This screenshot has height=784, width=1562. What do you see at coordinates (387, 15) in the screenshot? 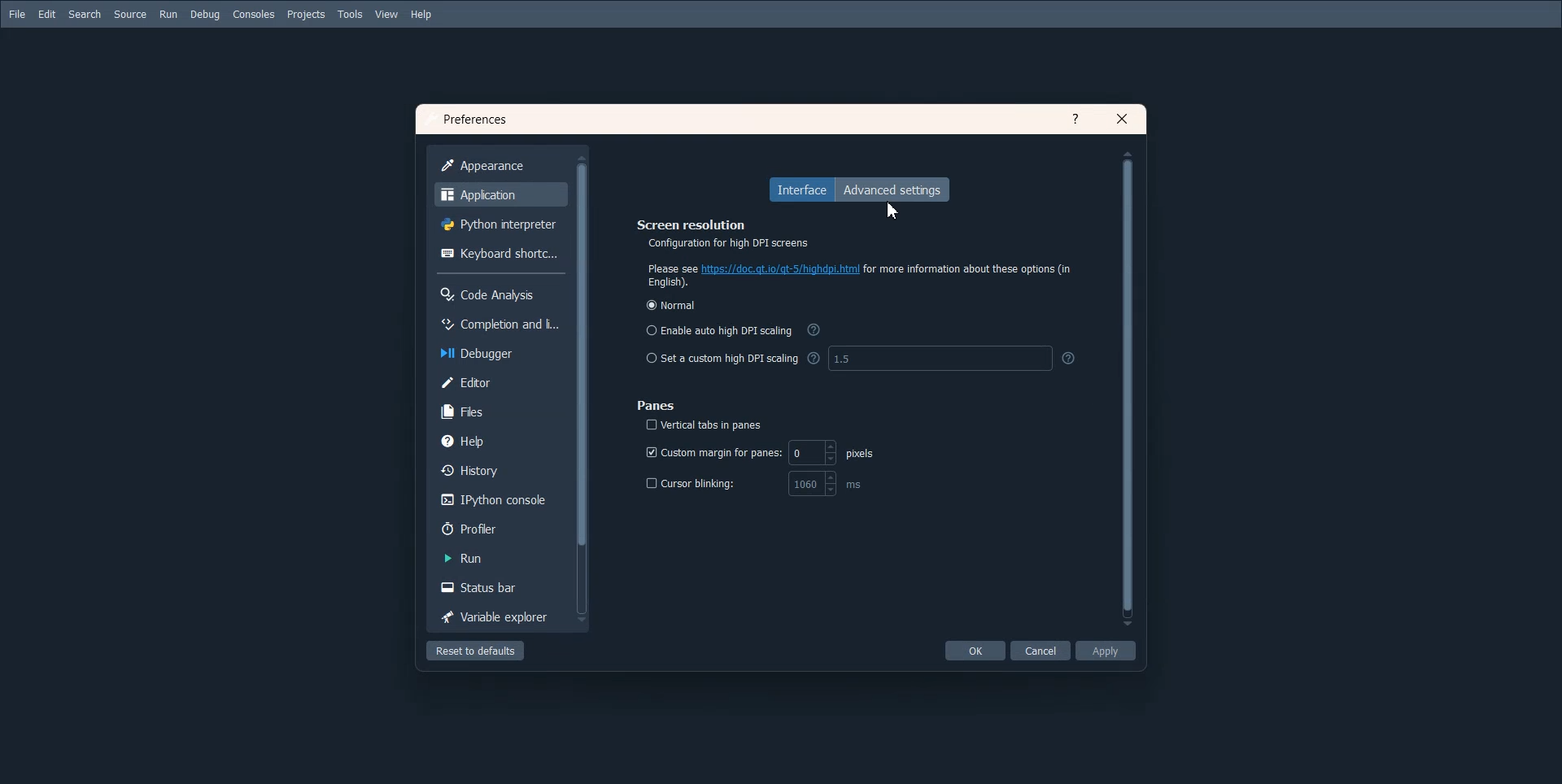
I see `View ` at bounding box center [387, 15].